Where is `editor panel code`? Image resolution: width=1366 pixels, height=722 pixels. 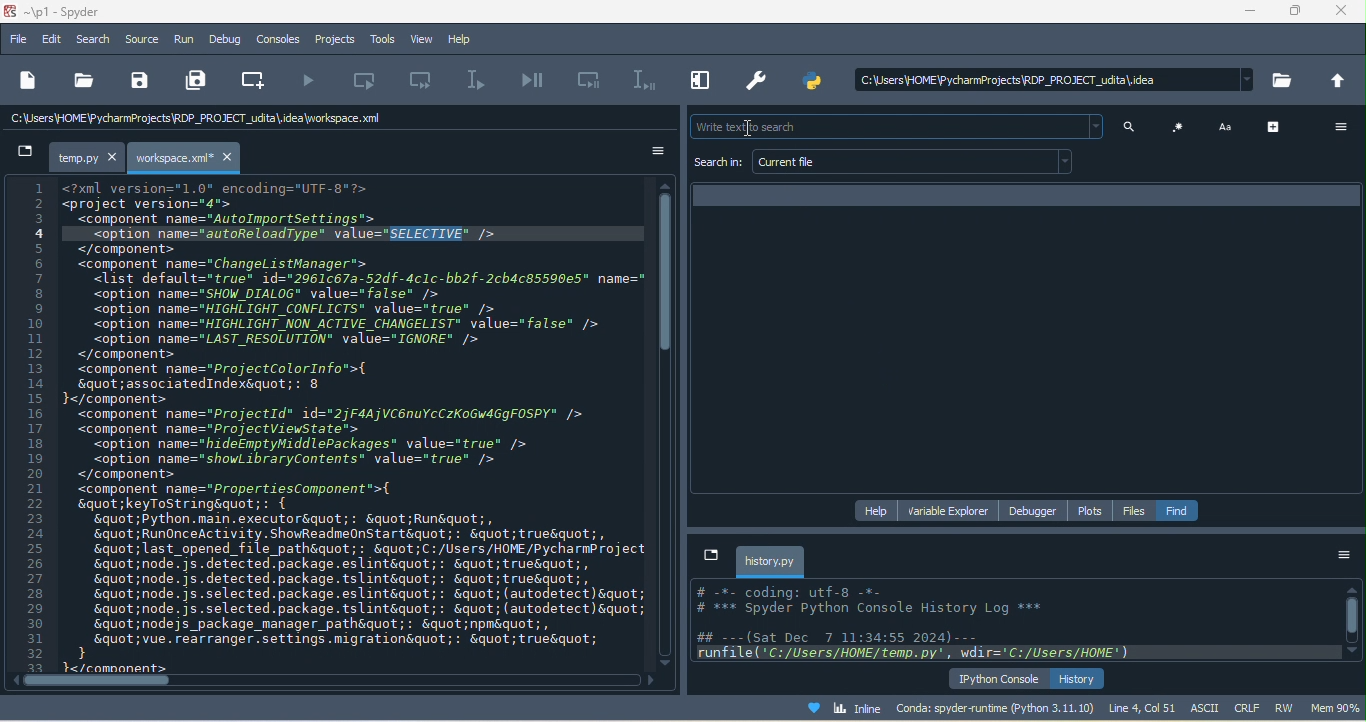 editor panel code is located at coordinates (330, 425).